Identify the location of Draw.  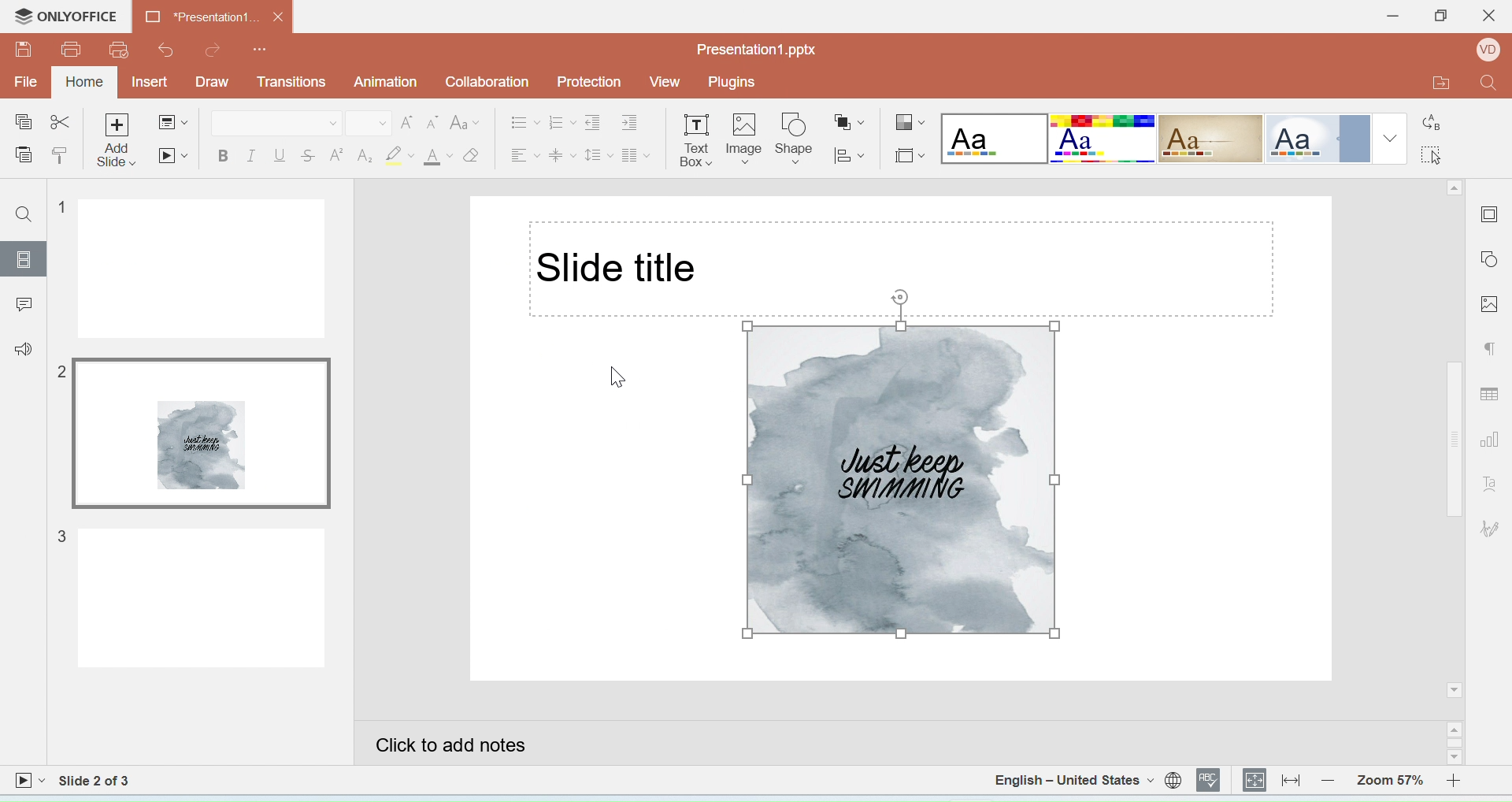
(212, 83).